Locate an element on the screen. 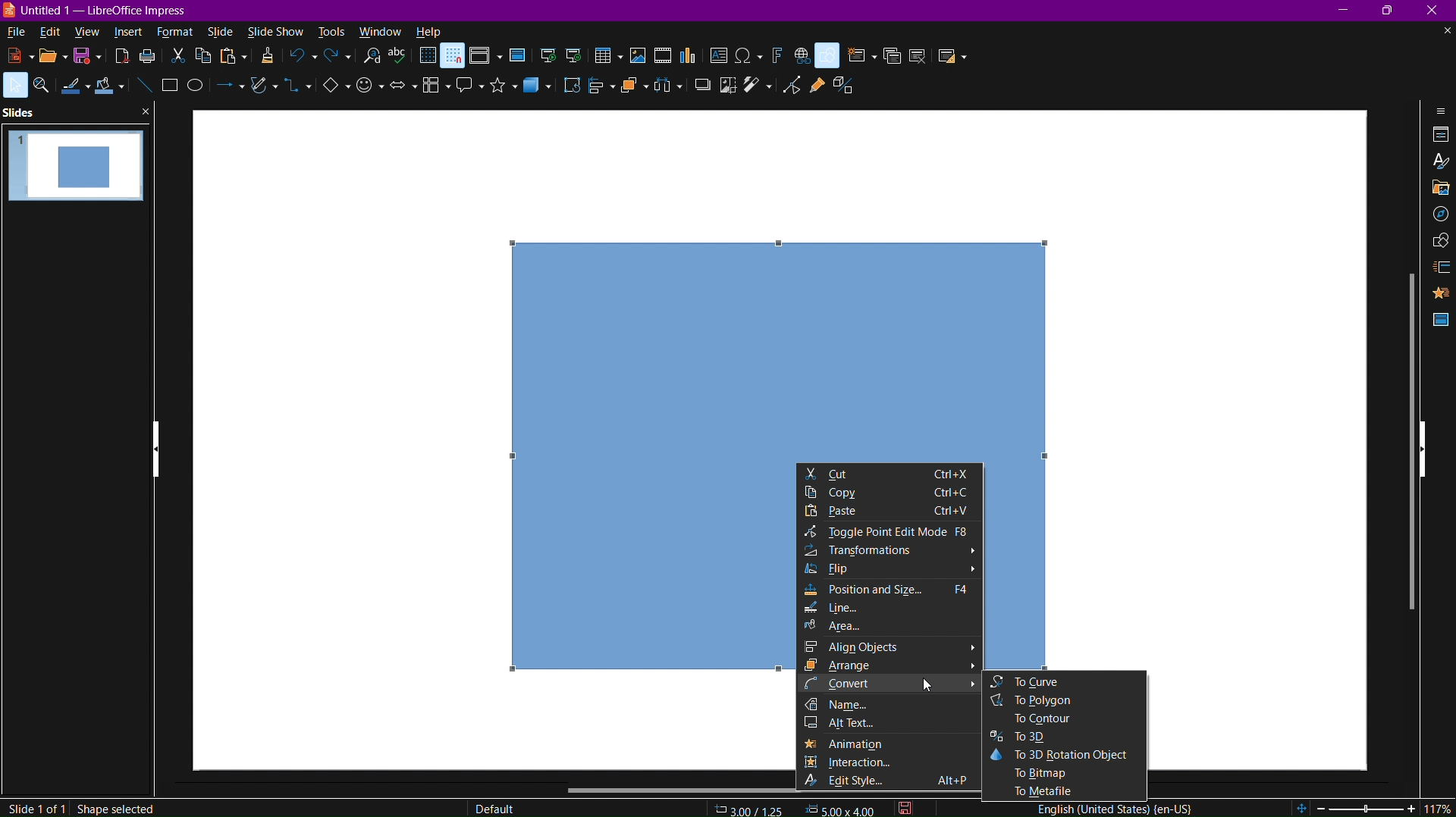 The height and width of the screenshot is (817, 1456). Animation is located at coordinates (1441, 293).